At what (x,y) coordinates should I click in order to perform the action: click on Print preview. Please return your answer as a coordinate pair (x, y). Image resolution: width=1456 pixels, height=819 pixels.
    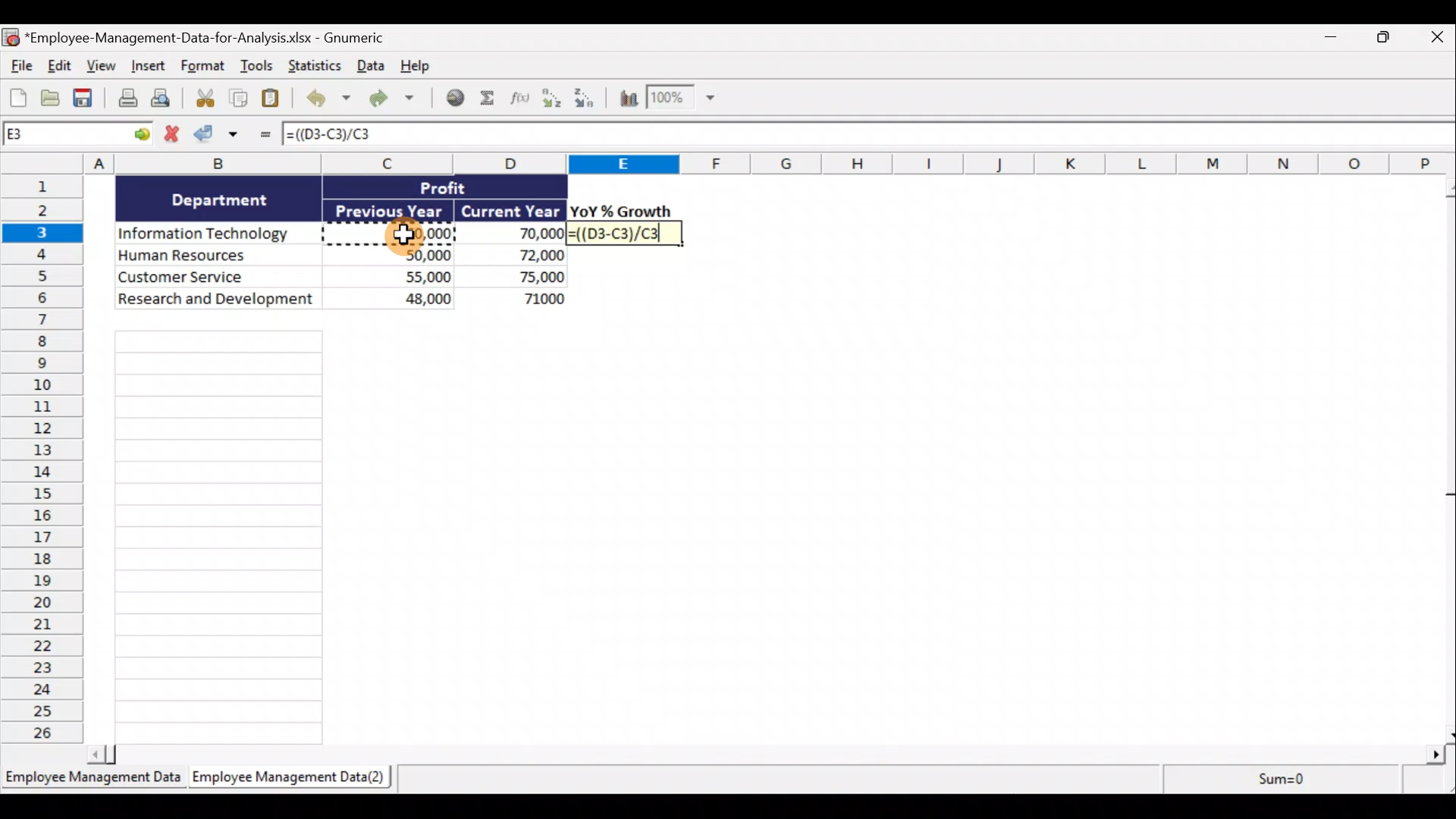
    Looking at the image, I should click on (162, 99).